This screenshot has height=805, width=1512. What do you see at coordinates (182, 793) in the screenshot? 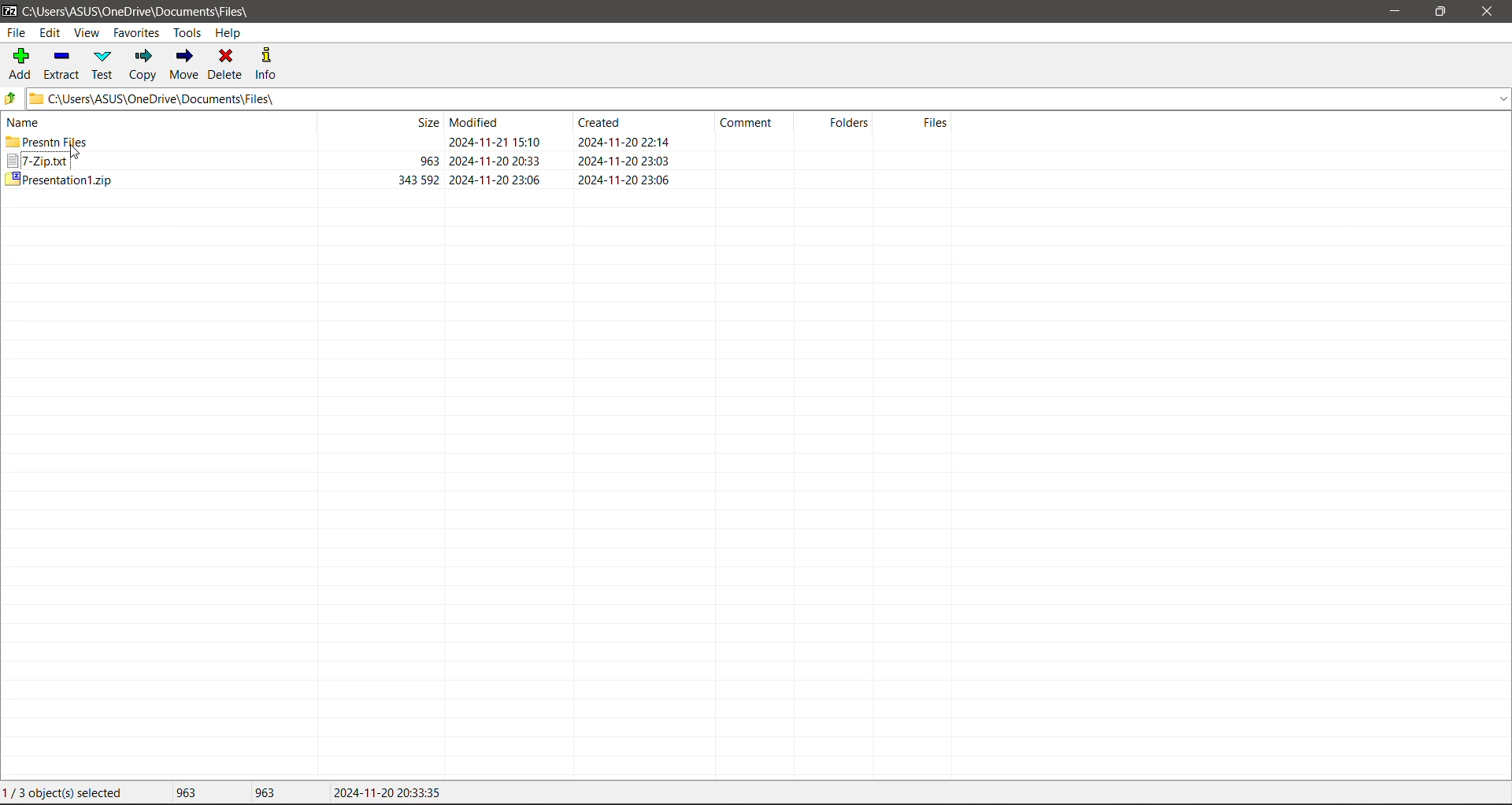
I see `Total size of file(s) selected` at bounding box center [182, 793].